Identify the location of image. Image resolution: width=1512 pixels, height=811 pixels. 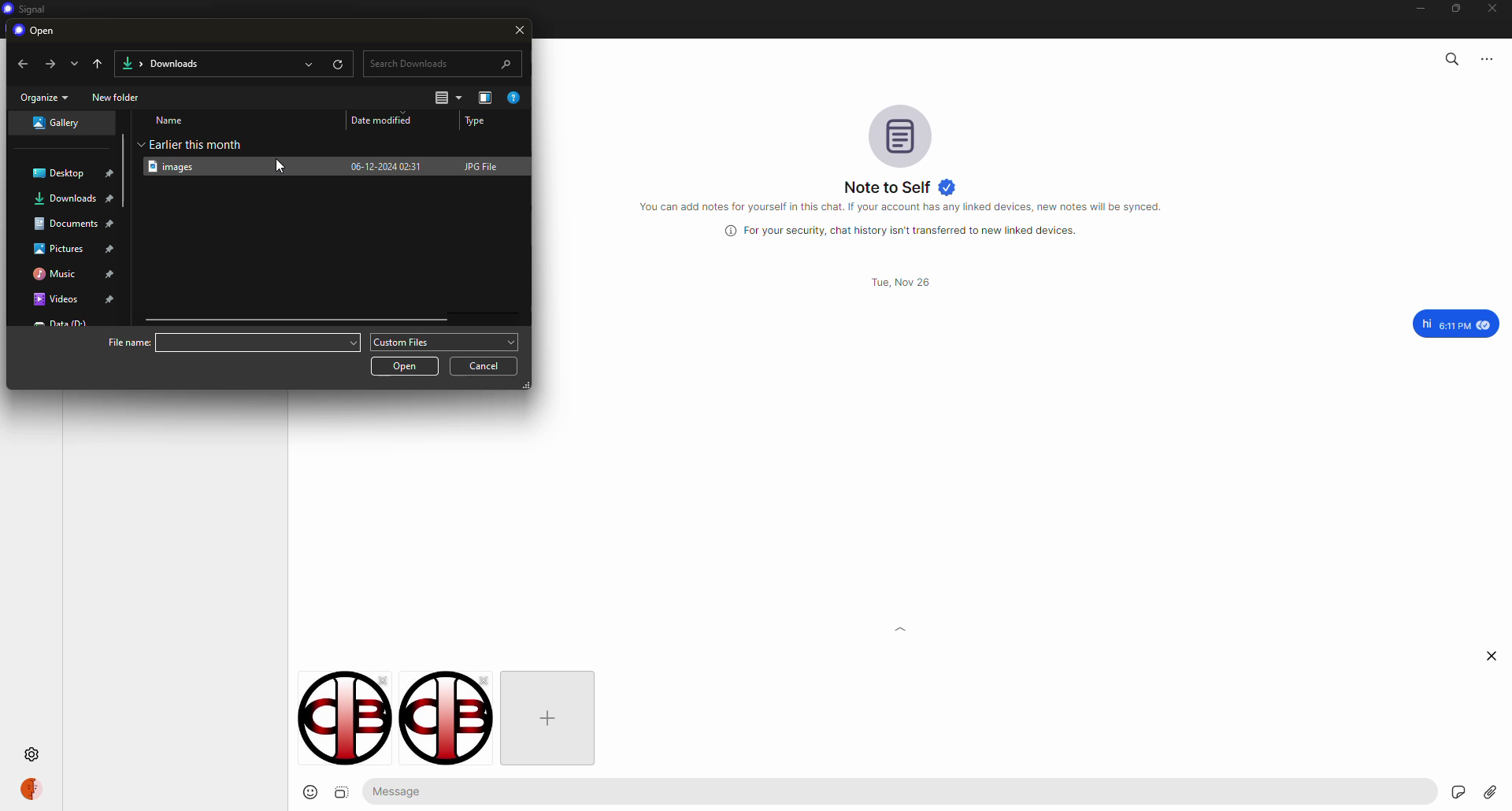
(440, 720).